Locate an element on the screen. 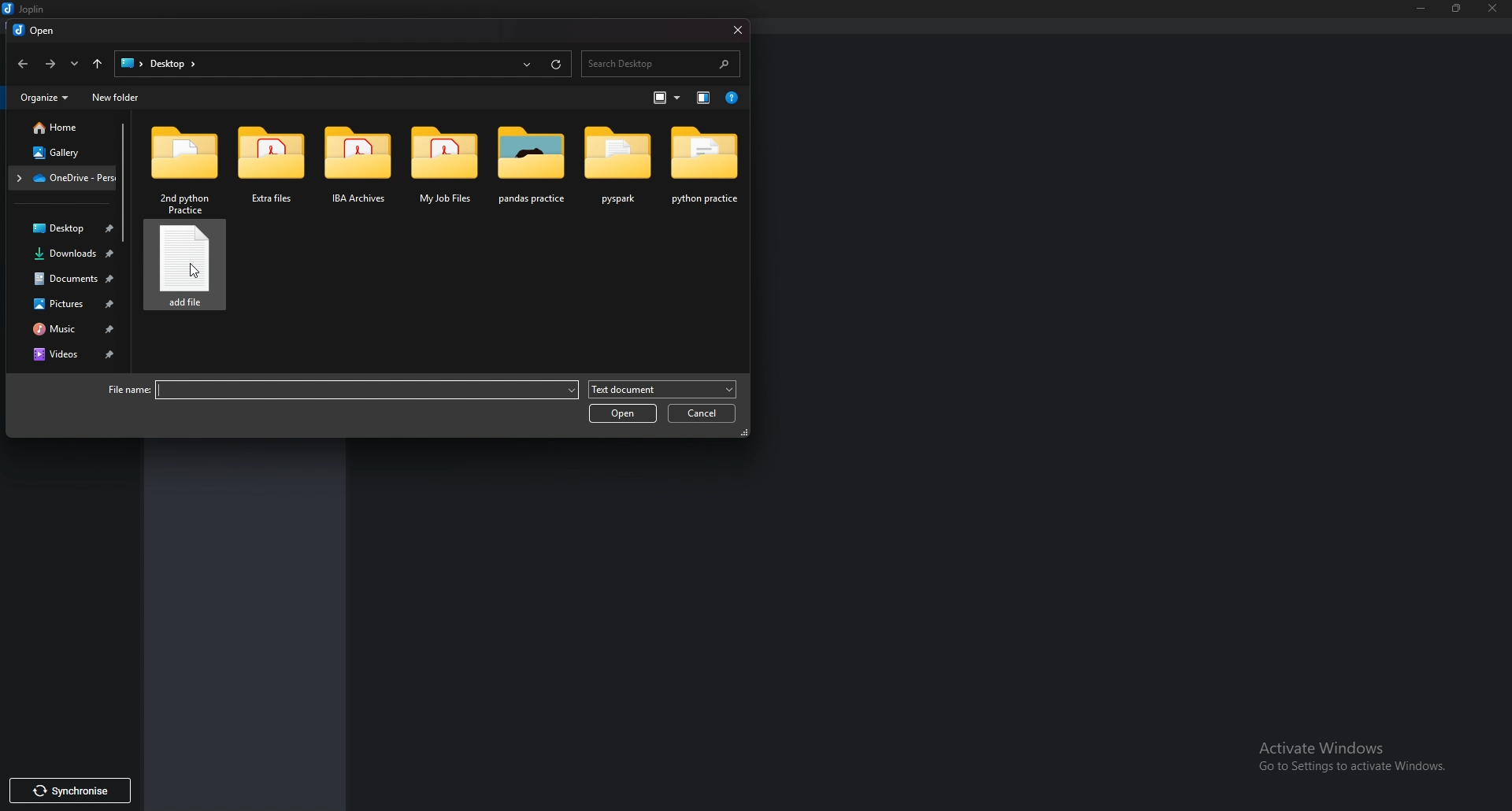 Image resolution: width=1512 pixels, height=811 pixels. New folder is located at coordinates (117, 98).